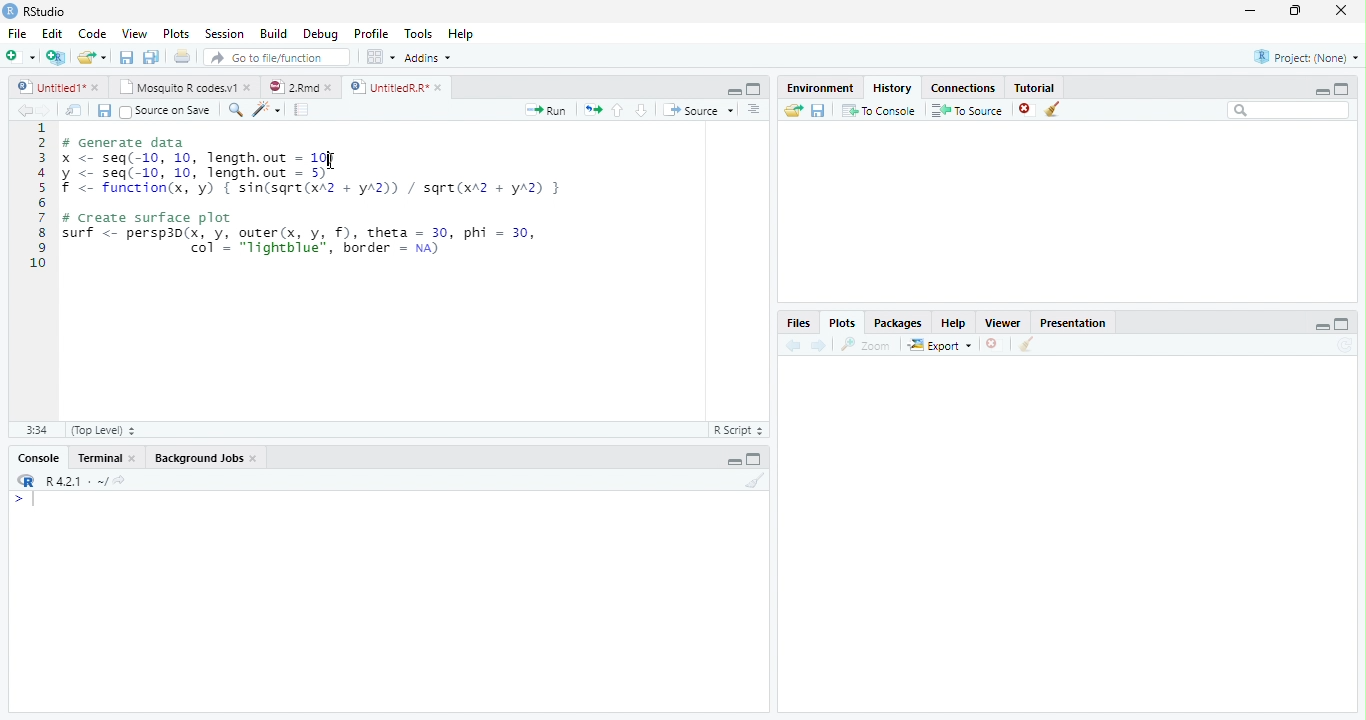 This screenshot has width=1366, height=720. What do you see at coordinates (292, 86) in the screenshot?
I see `2.Rmd` at bounding box center [292, 86].